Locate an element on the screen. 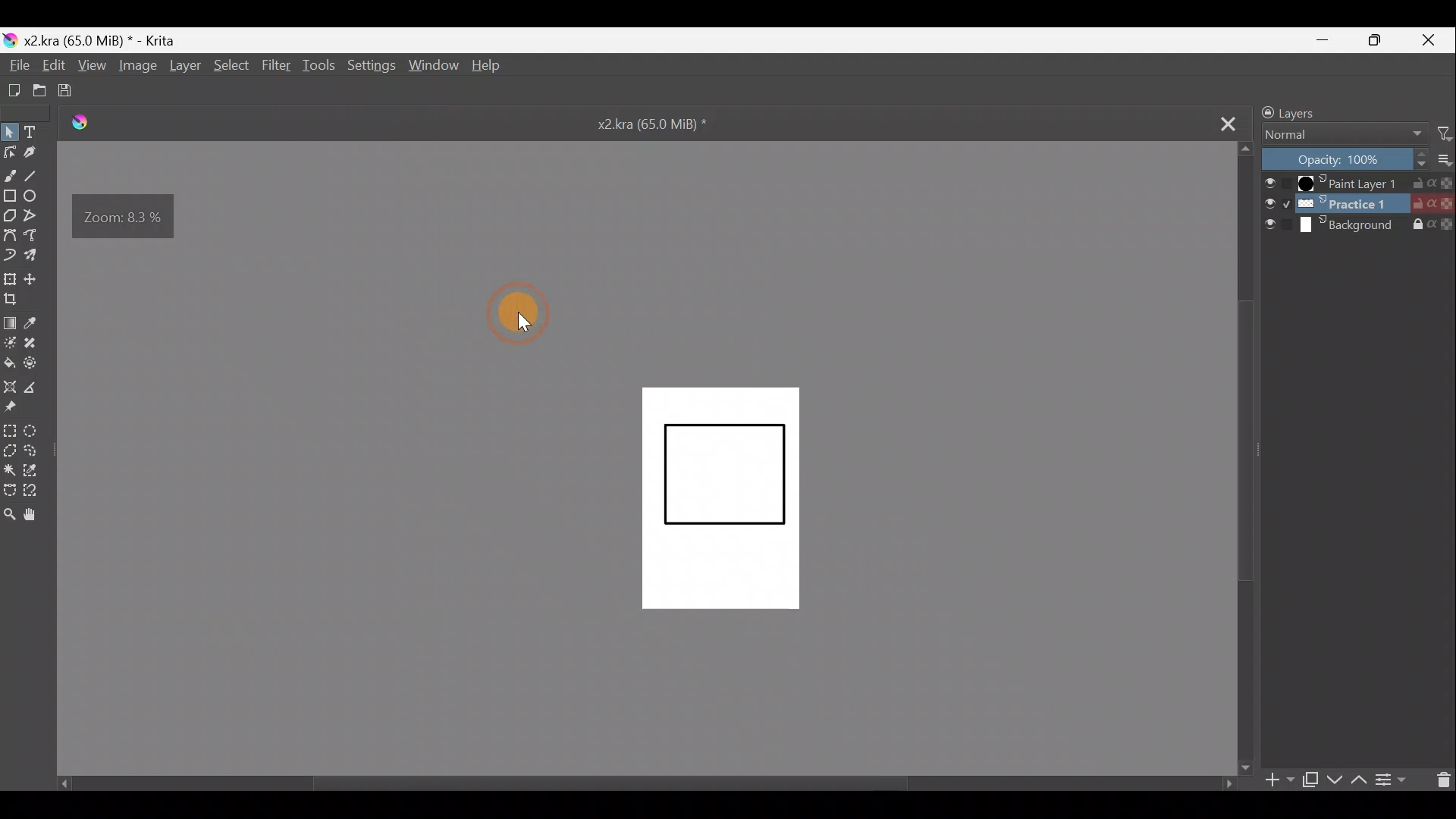 This screenshot has width=1456, height=819. Contiguous selection tool is located at coordinates (12, 468).